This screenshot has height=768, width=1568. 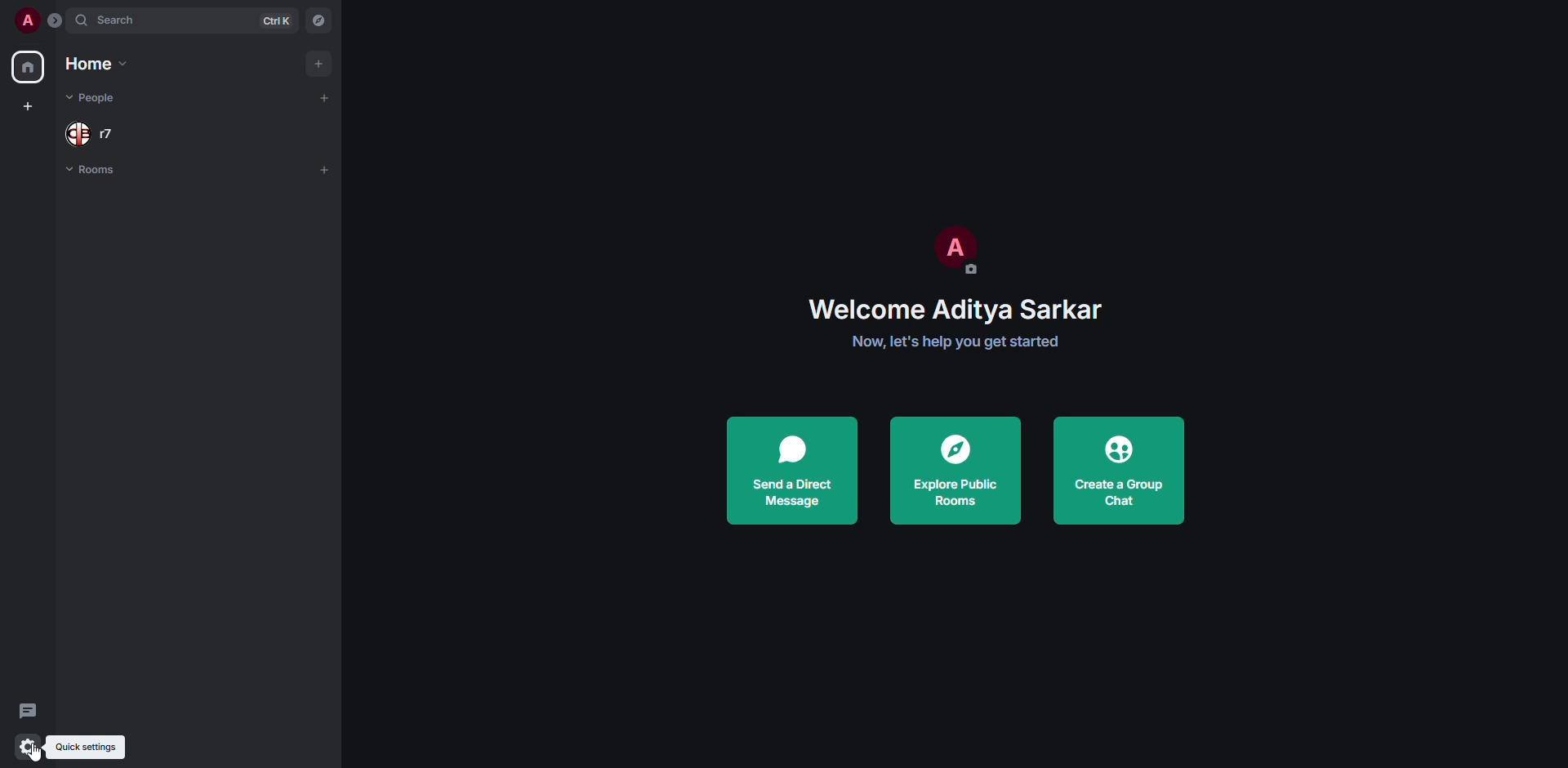 I want to click on add, so click(x=318, y=64).